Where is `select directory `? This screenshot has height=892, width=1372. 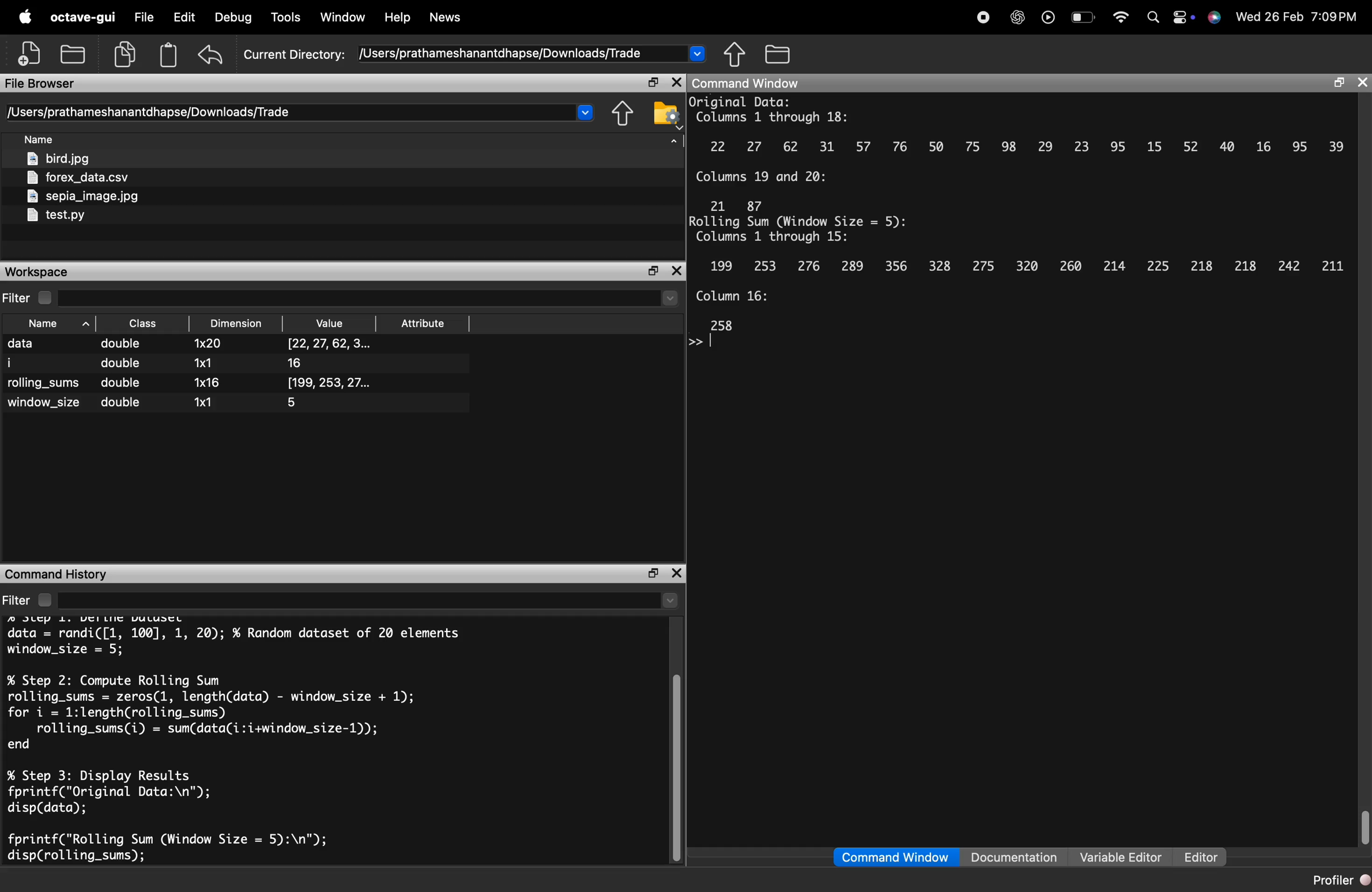
select directory  is located at coordinates (371, 298).